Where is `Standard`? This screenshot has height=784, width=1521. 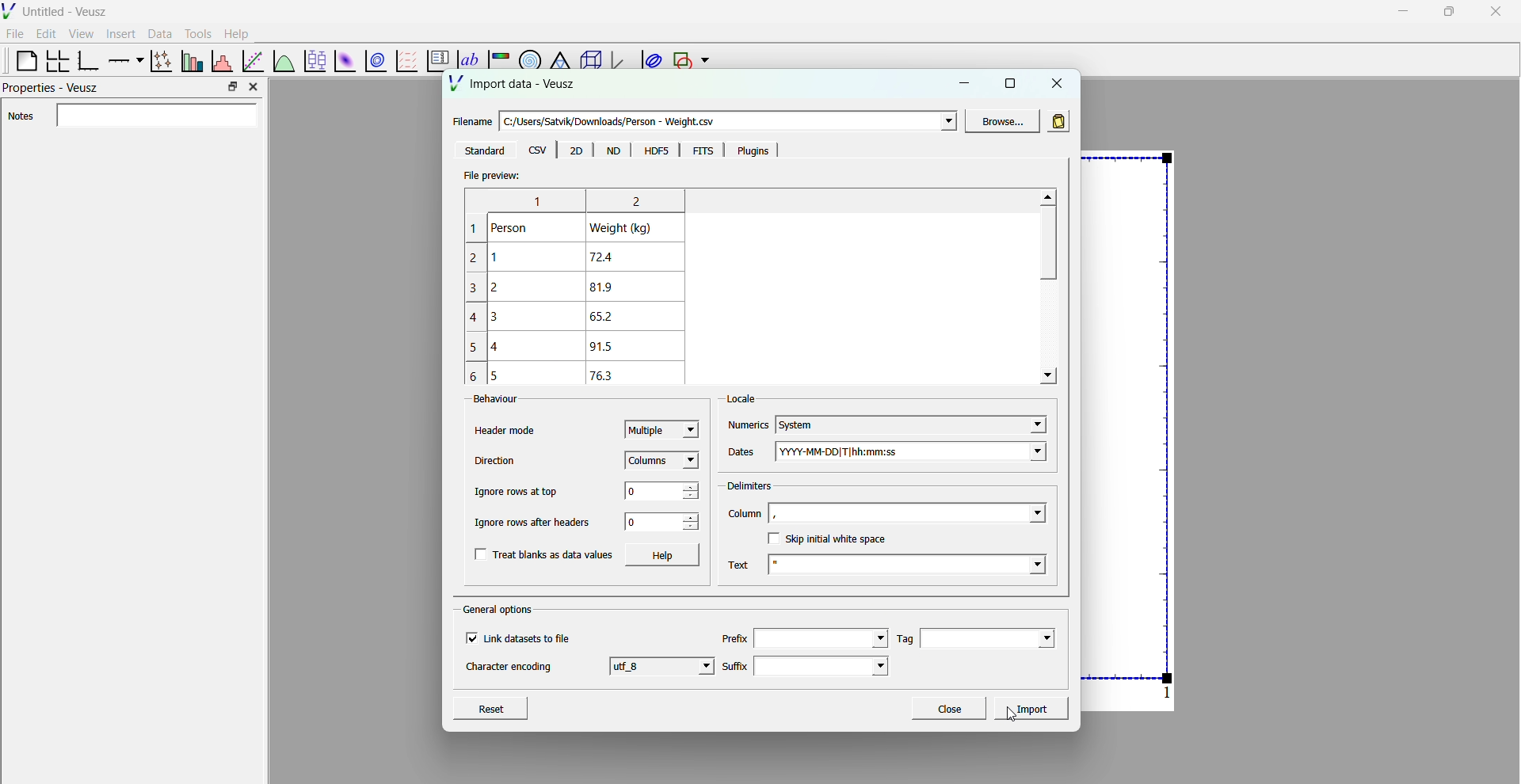 Standard is located at coordinates (483, 150).